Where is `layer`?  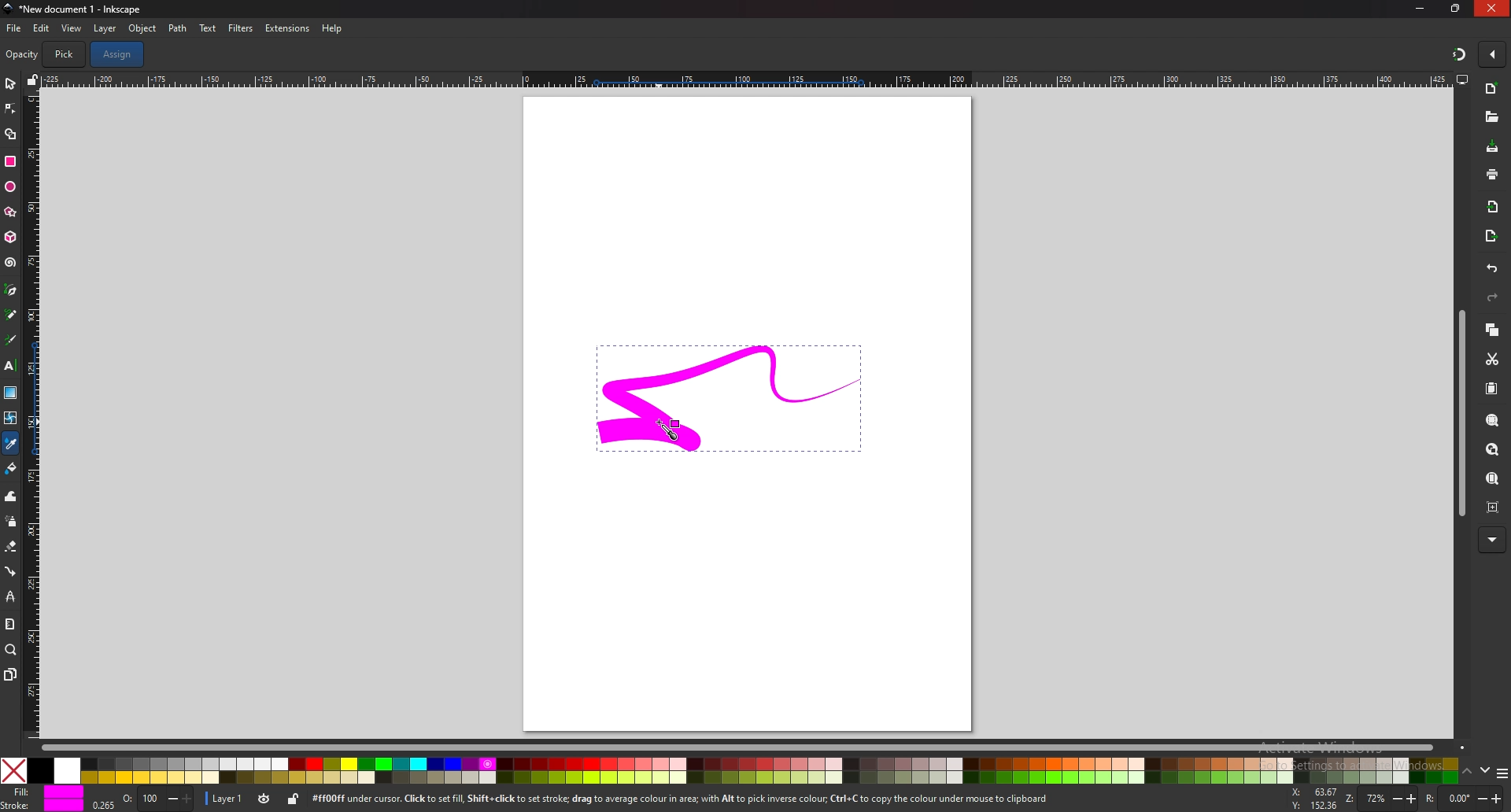 layer is located at coordinates (105, 29).